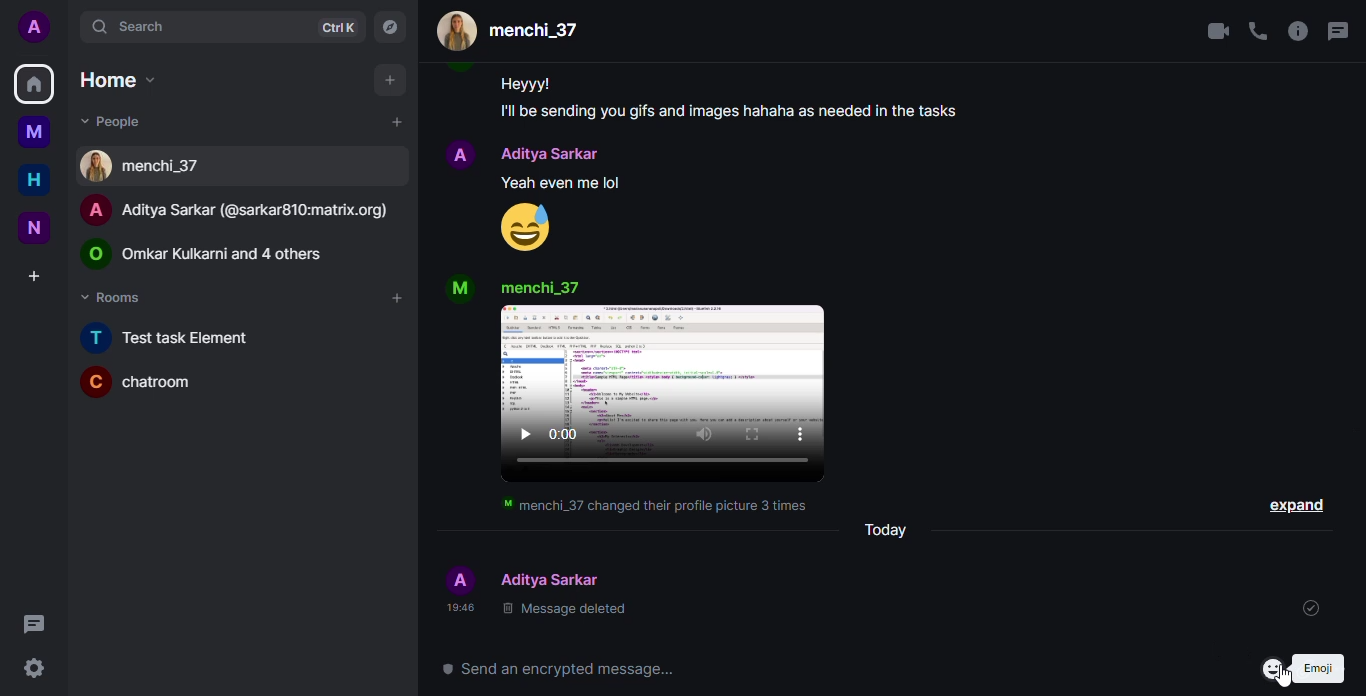  I want to click on video, so click(666, 396).